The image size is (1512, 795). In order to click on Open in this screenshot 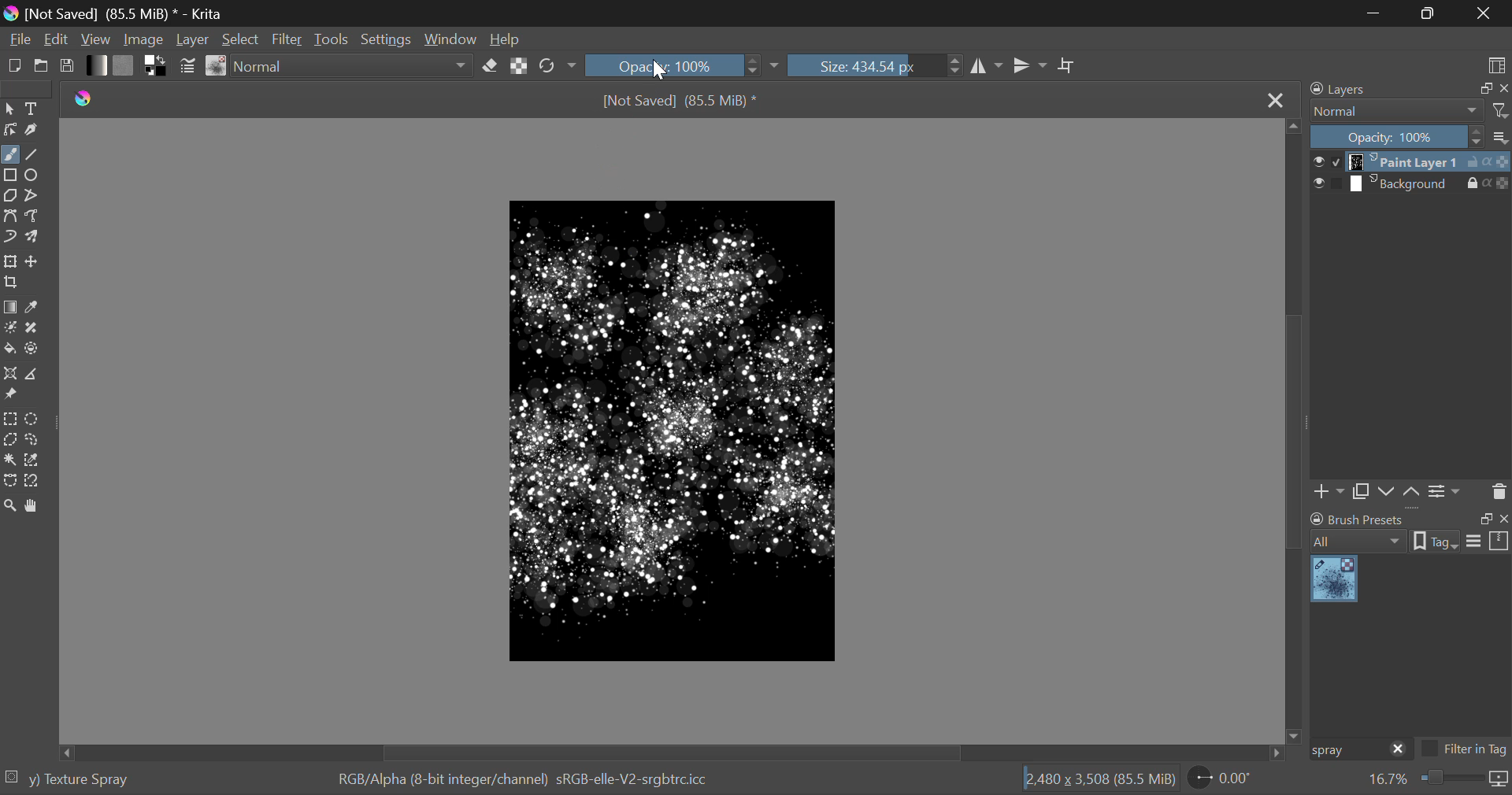, I will do `click(42, 65)`.